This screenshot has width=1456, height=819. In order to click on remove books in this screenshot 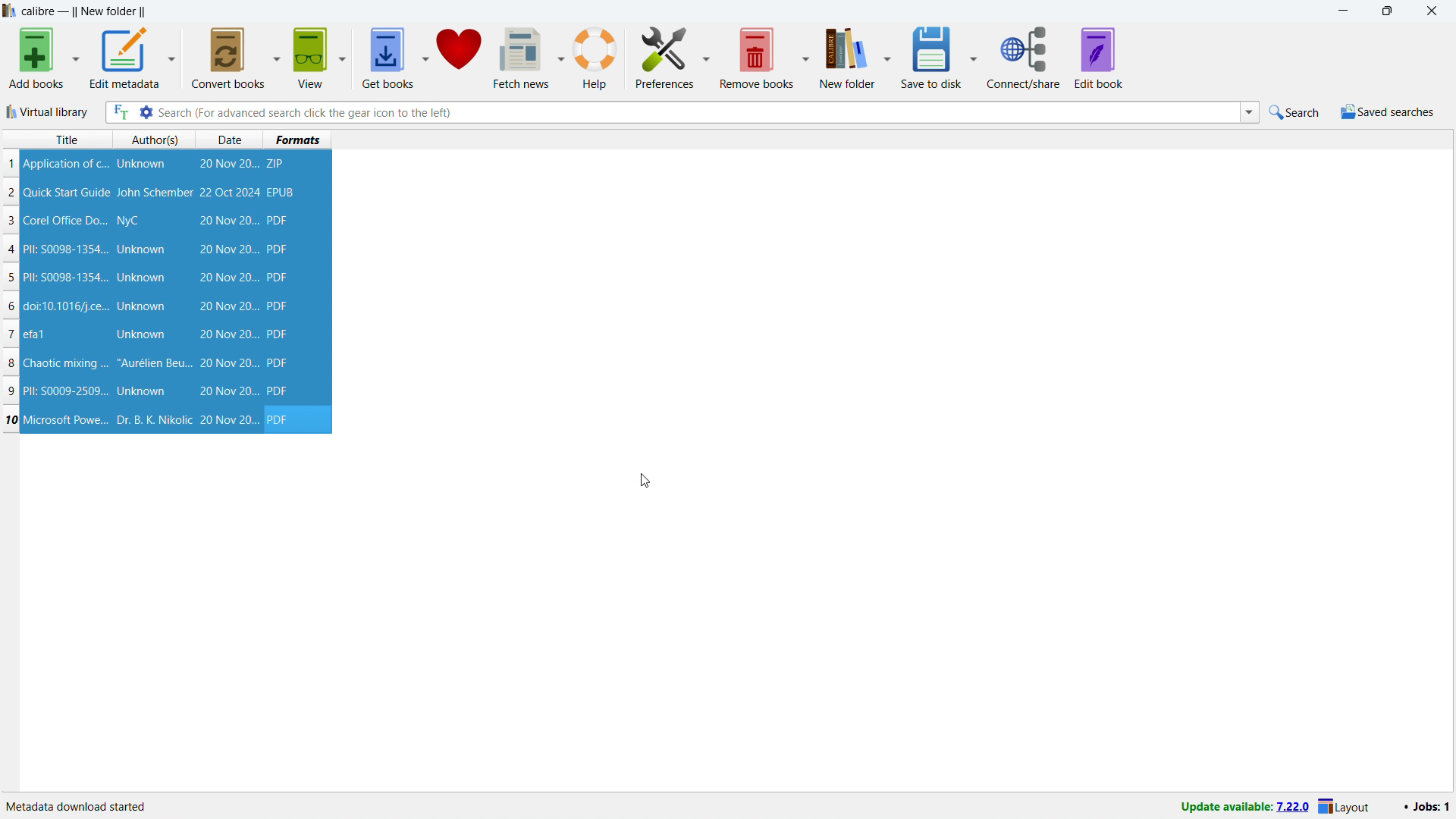, I will do `click(757, 58)`.